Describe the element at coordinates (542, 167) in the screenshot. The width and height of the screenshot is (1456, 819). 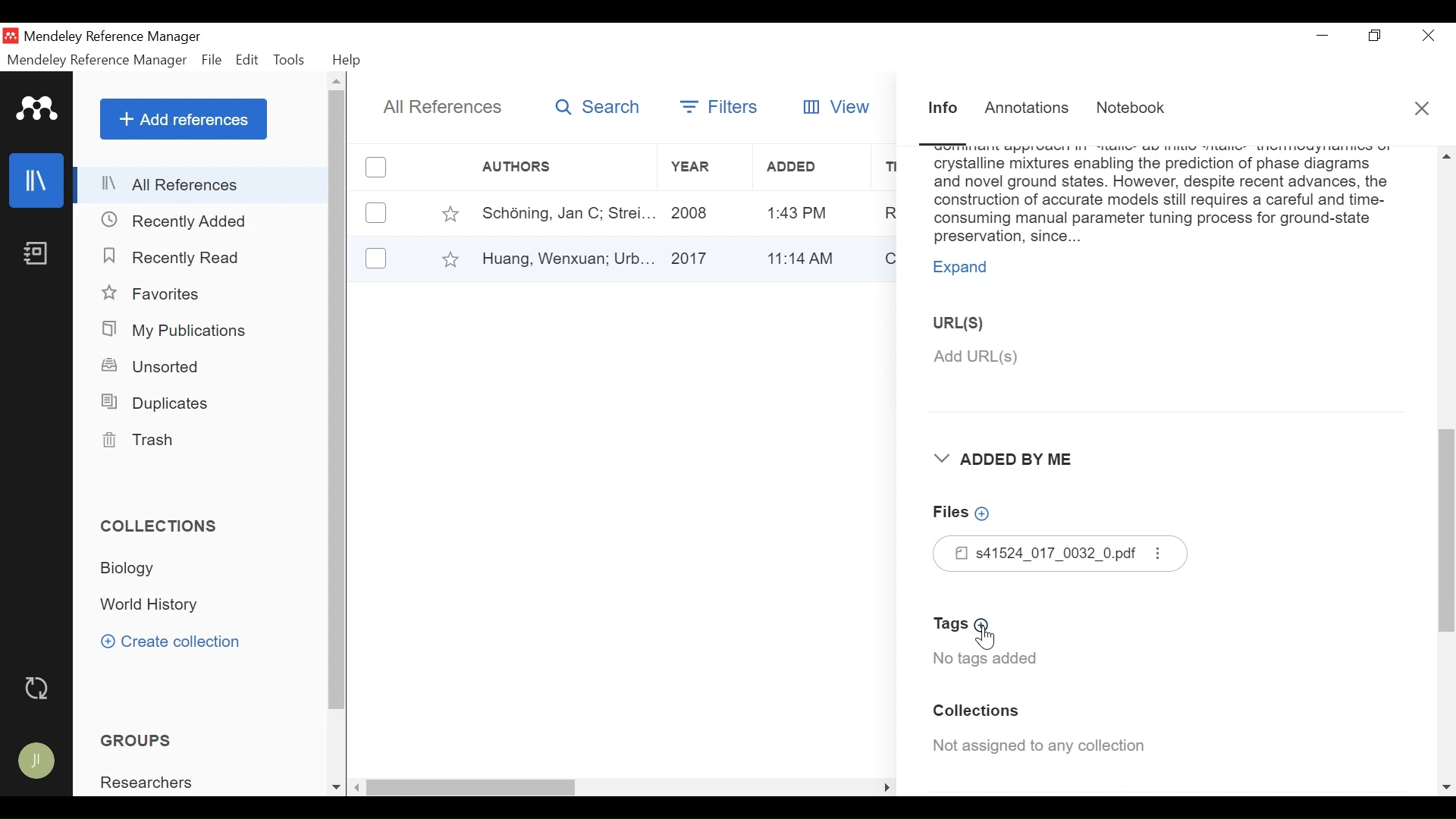
I see `Author` at that location.